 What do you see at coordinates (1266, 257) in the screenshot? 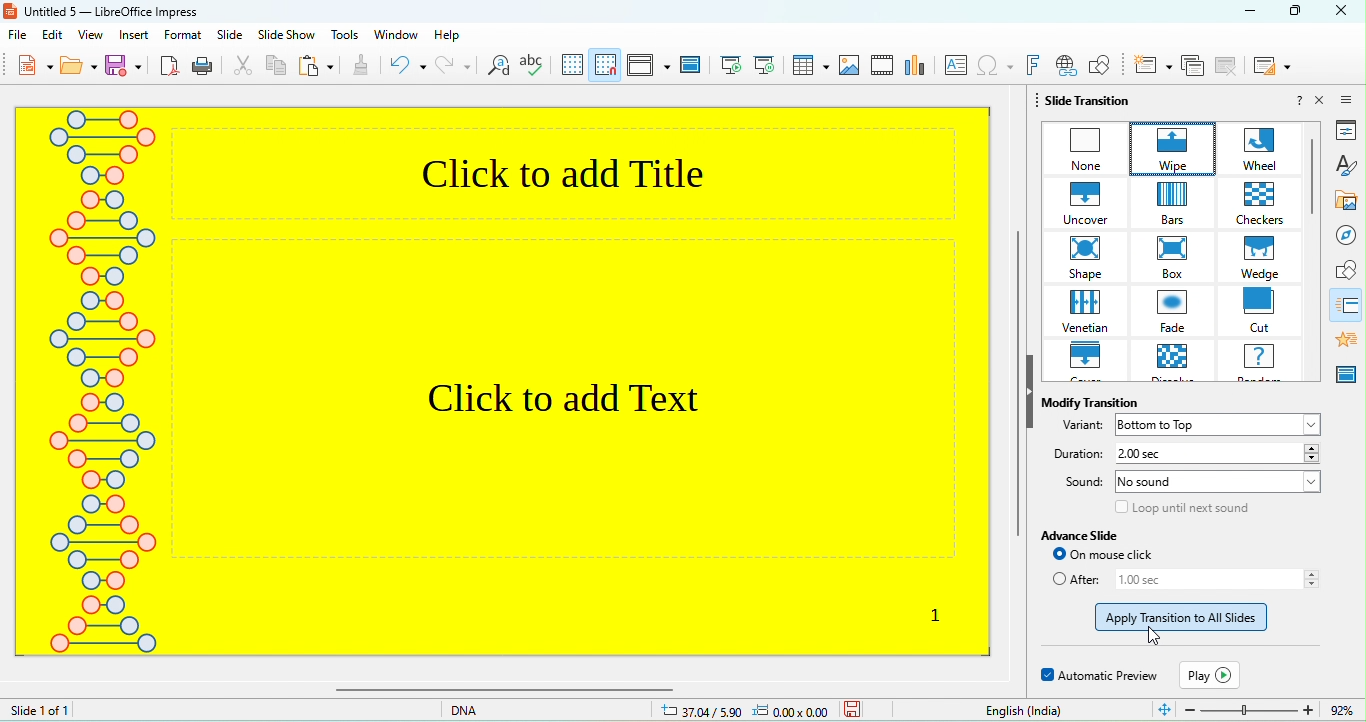
I see `wedge` at bounding box center [1266, 257].